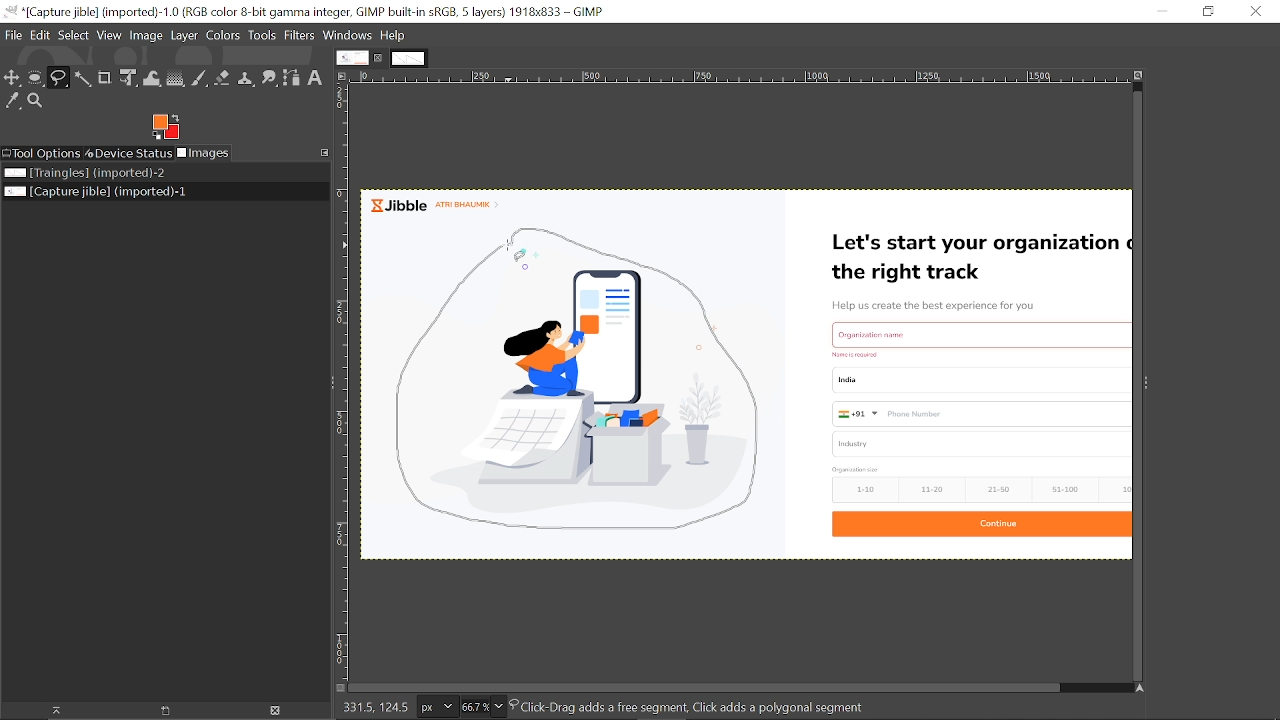 Image resolution: width=1280 pixels, height=720 pixels. I want to click on Close current tab, so click(380, 58).